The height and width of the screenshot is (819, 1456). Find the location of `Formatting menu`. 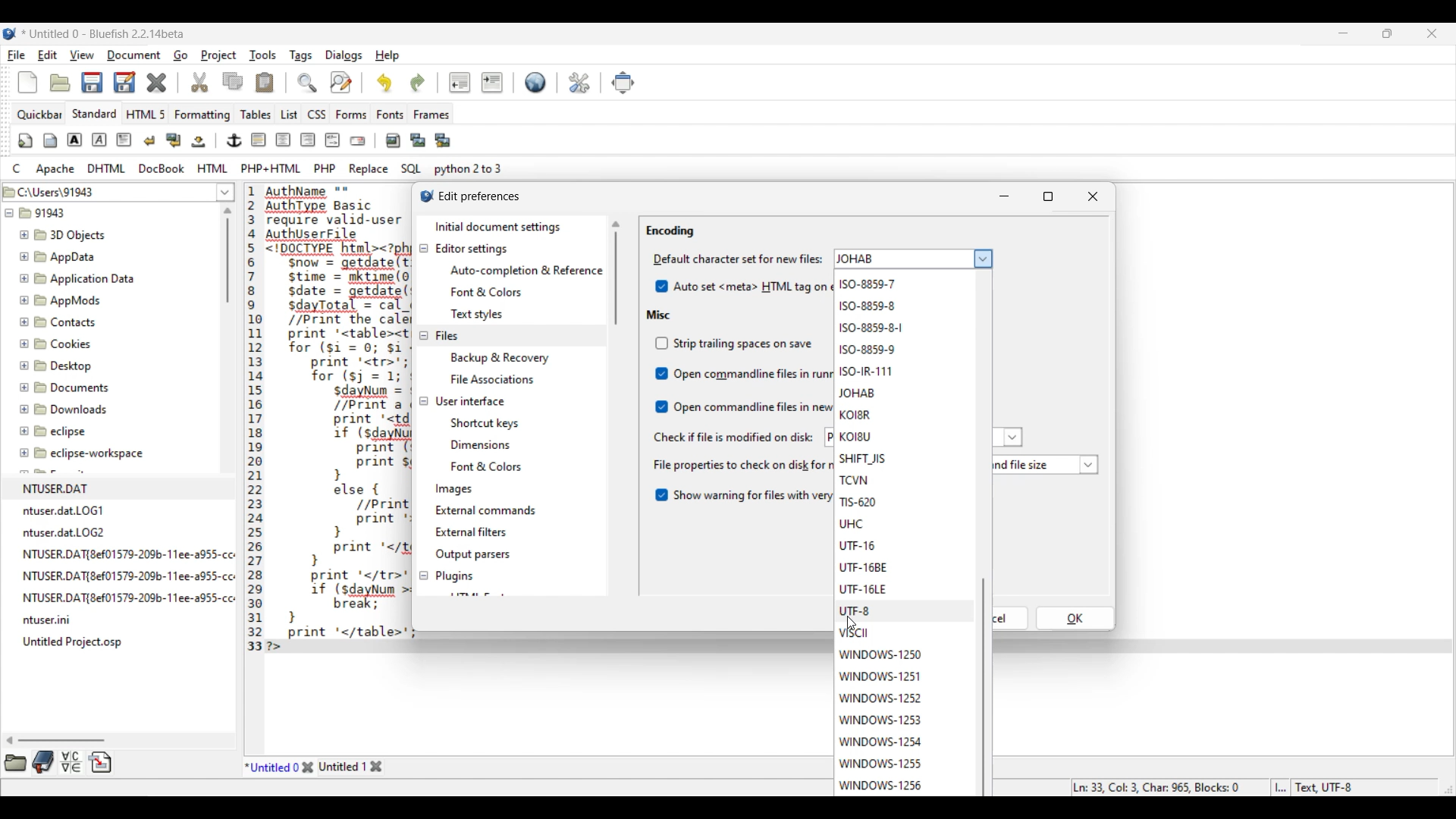

Formatting menu is located at coordinates (202, 115).